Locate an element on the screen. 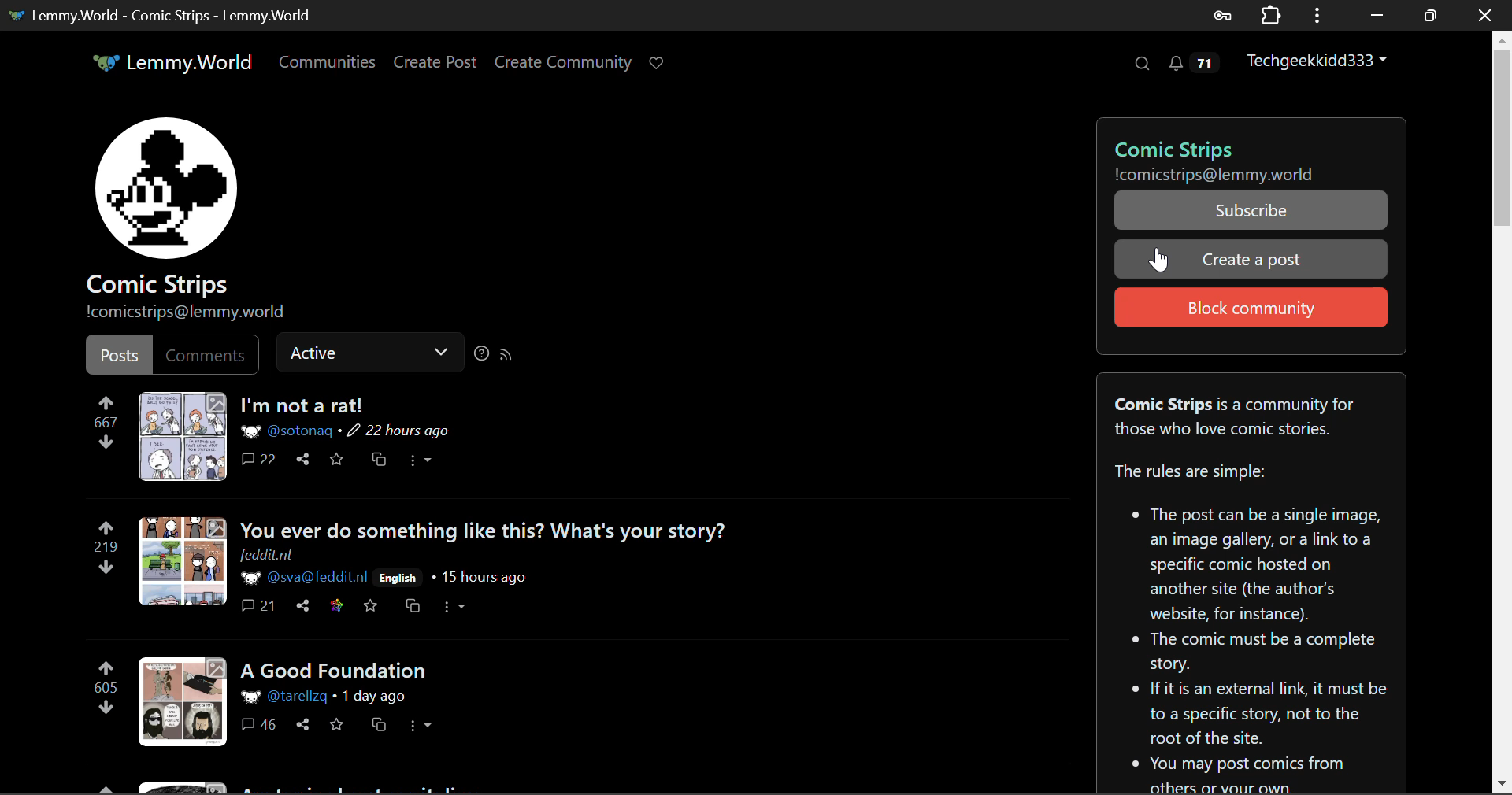 The width and height of the screenshot is (1512, 795). Create Community is located at coordinates (563, 61).